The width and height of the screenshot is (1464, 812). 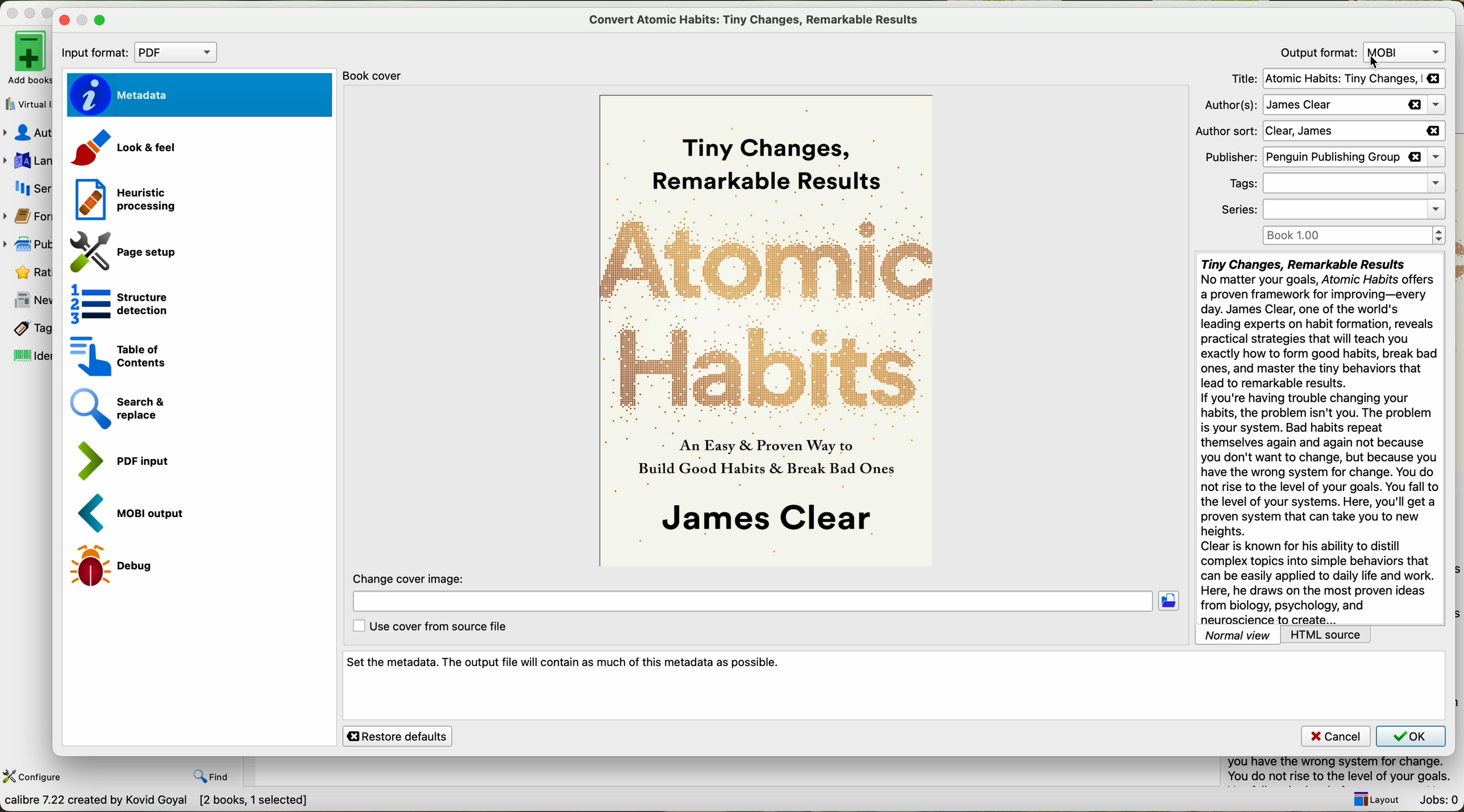 I want to click on tags, so click(x=27, y=328).